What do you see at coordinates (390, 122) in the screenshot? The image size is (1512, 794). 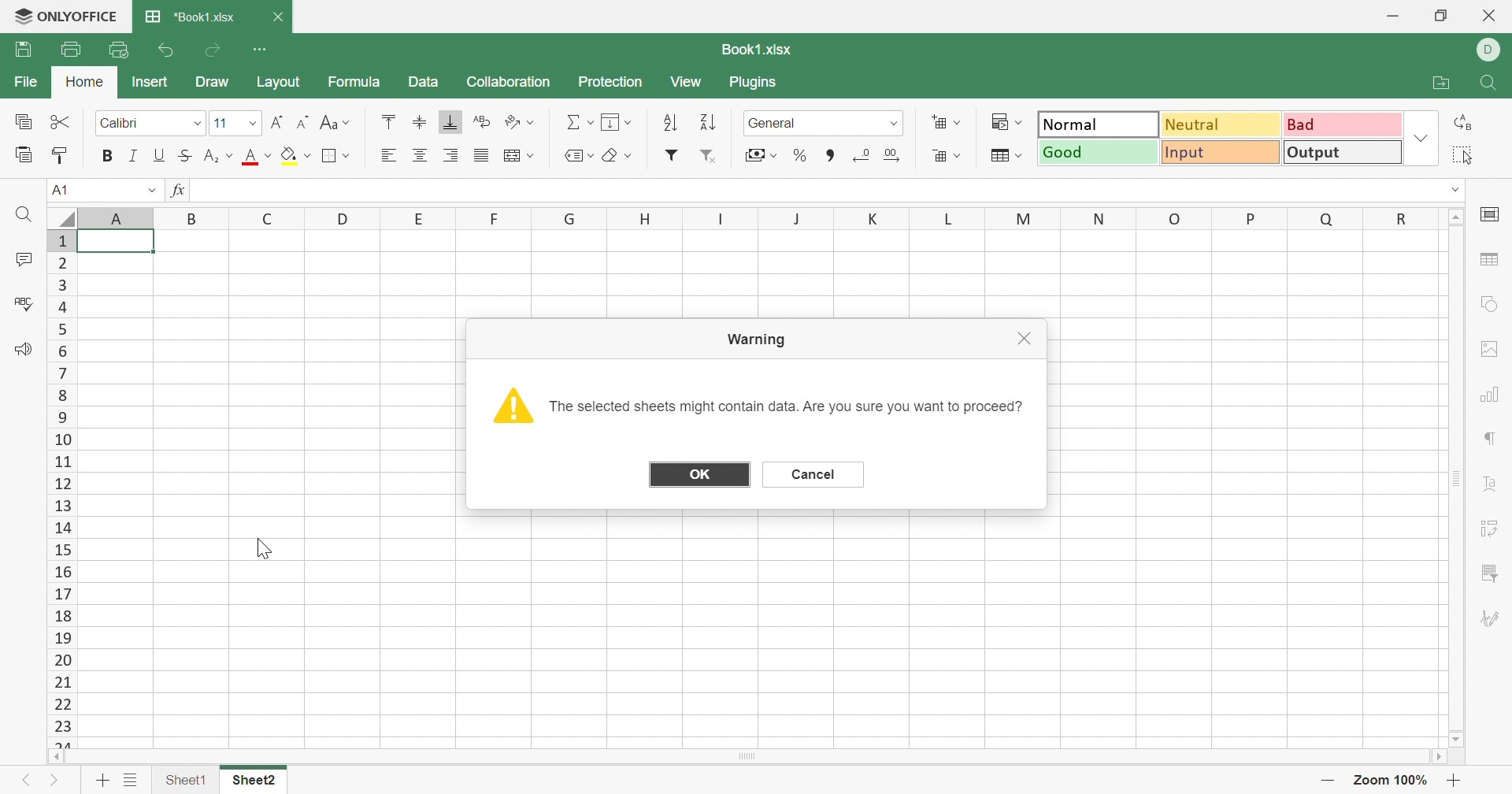 I see `Align Top` at bounding box center [390, 122].